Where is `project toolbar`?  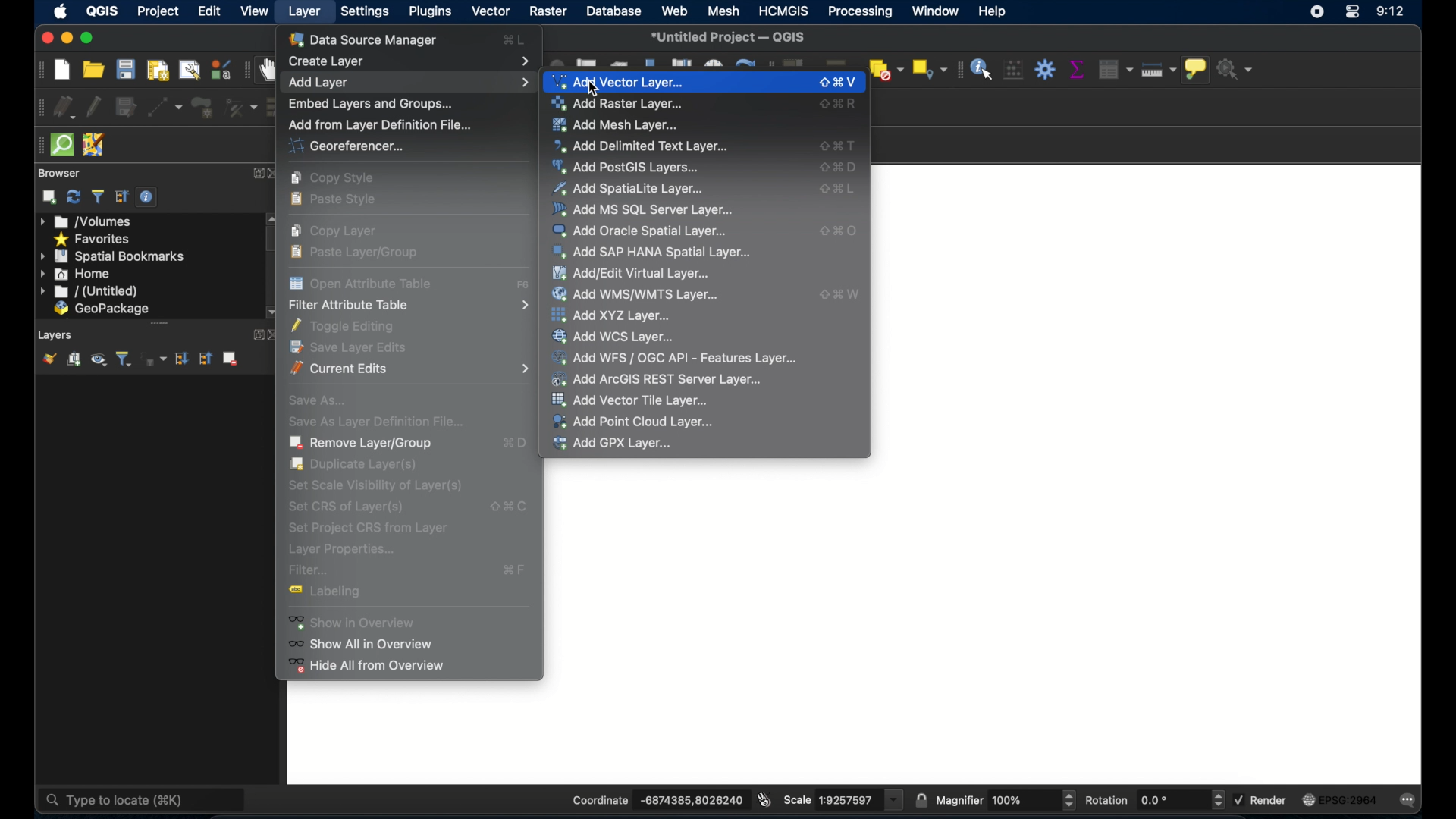 project toolbar is located at coordinates (35, 71).